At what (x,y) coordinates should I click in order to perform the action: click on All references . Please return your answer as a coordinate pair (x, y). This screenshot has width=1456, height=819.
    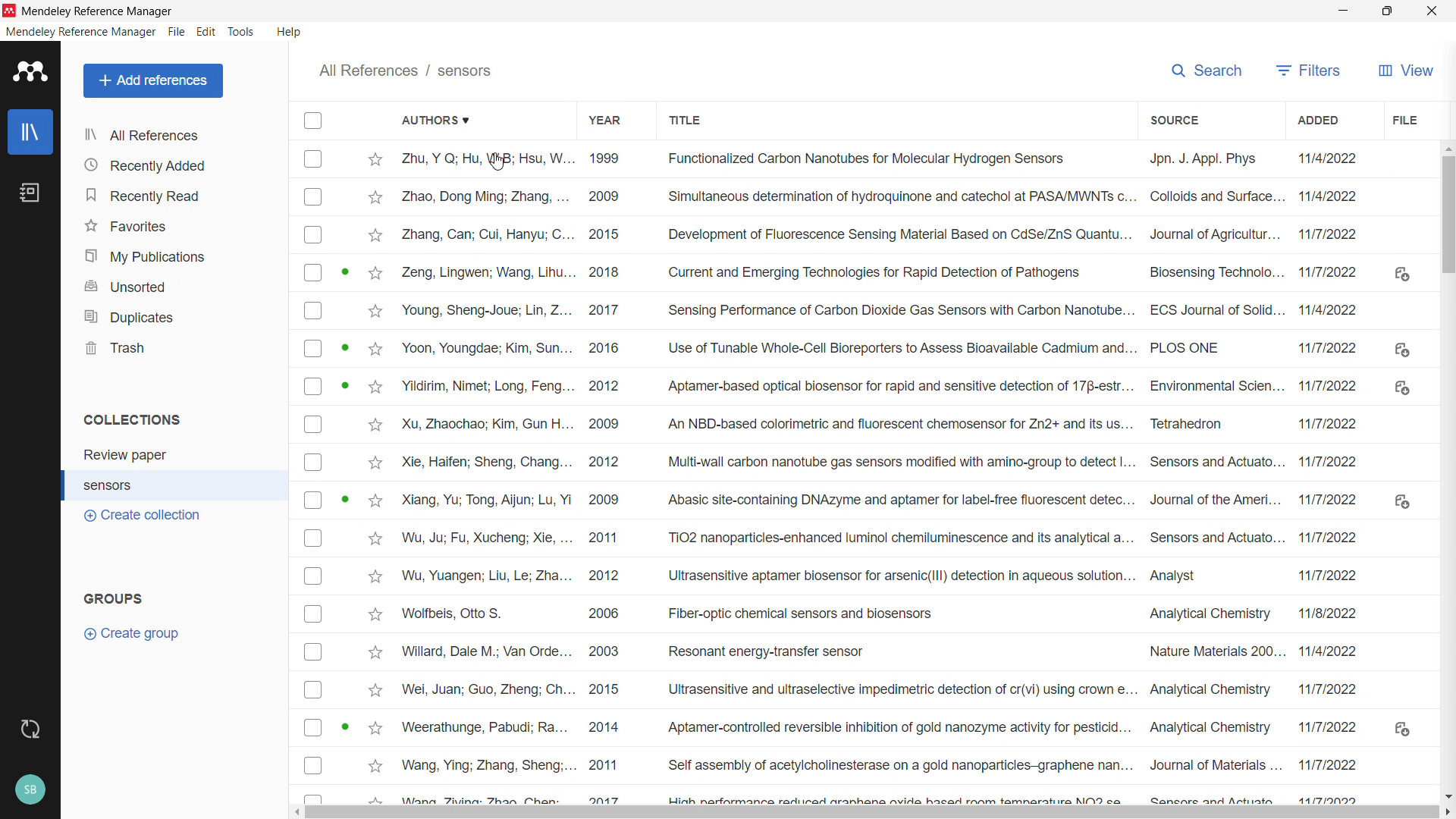
    Looking at the image, I should click on (177, 134).